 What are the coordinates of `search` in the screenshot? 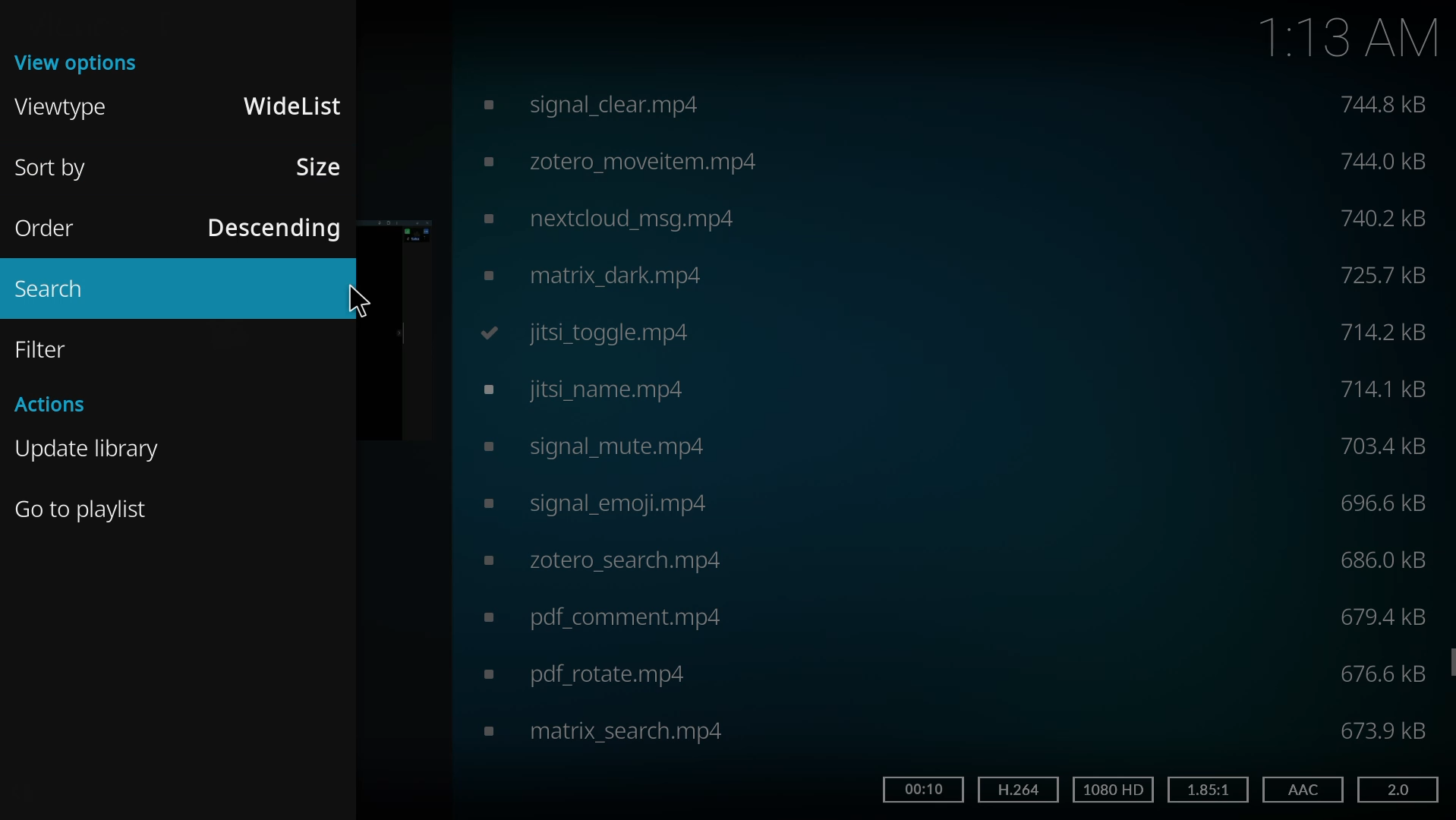 It's located at (179, 289).